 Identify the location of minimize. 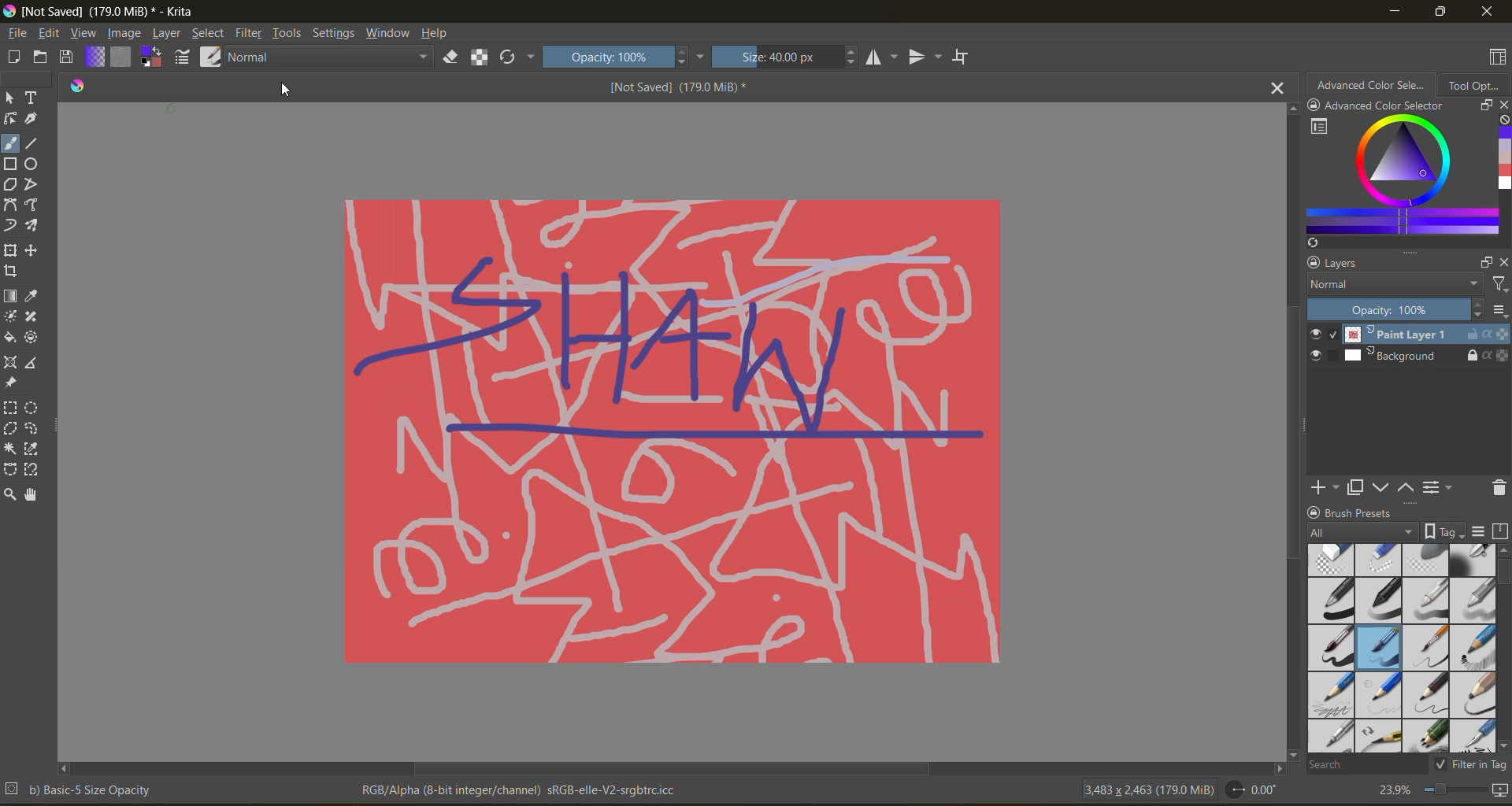
(1394, 11).